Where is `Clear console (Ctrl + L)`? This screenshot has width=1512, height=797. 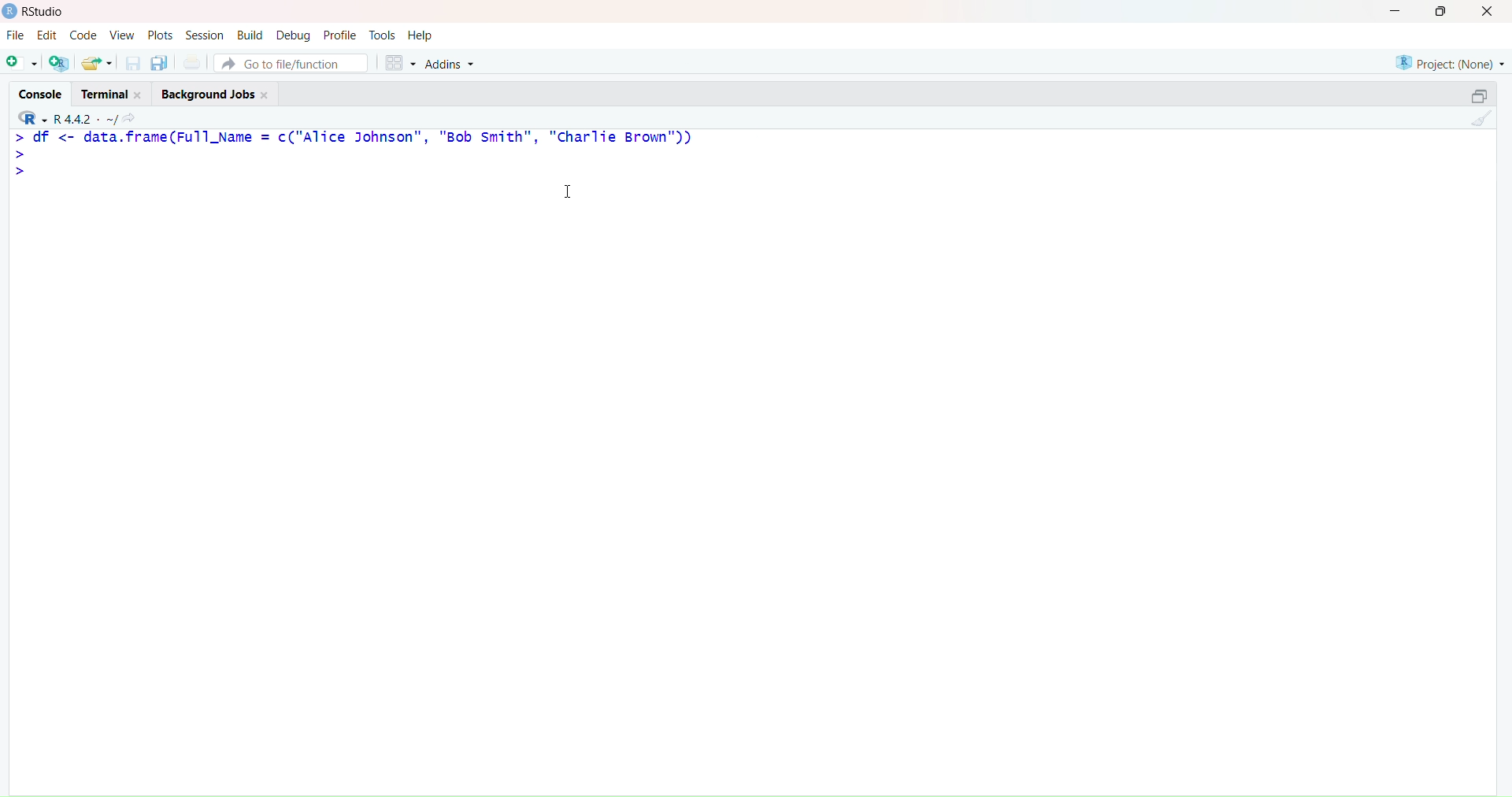
Clear console (Ctrl + L) is located at coordinates (1479, 120).